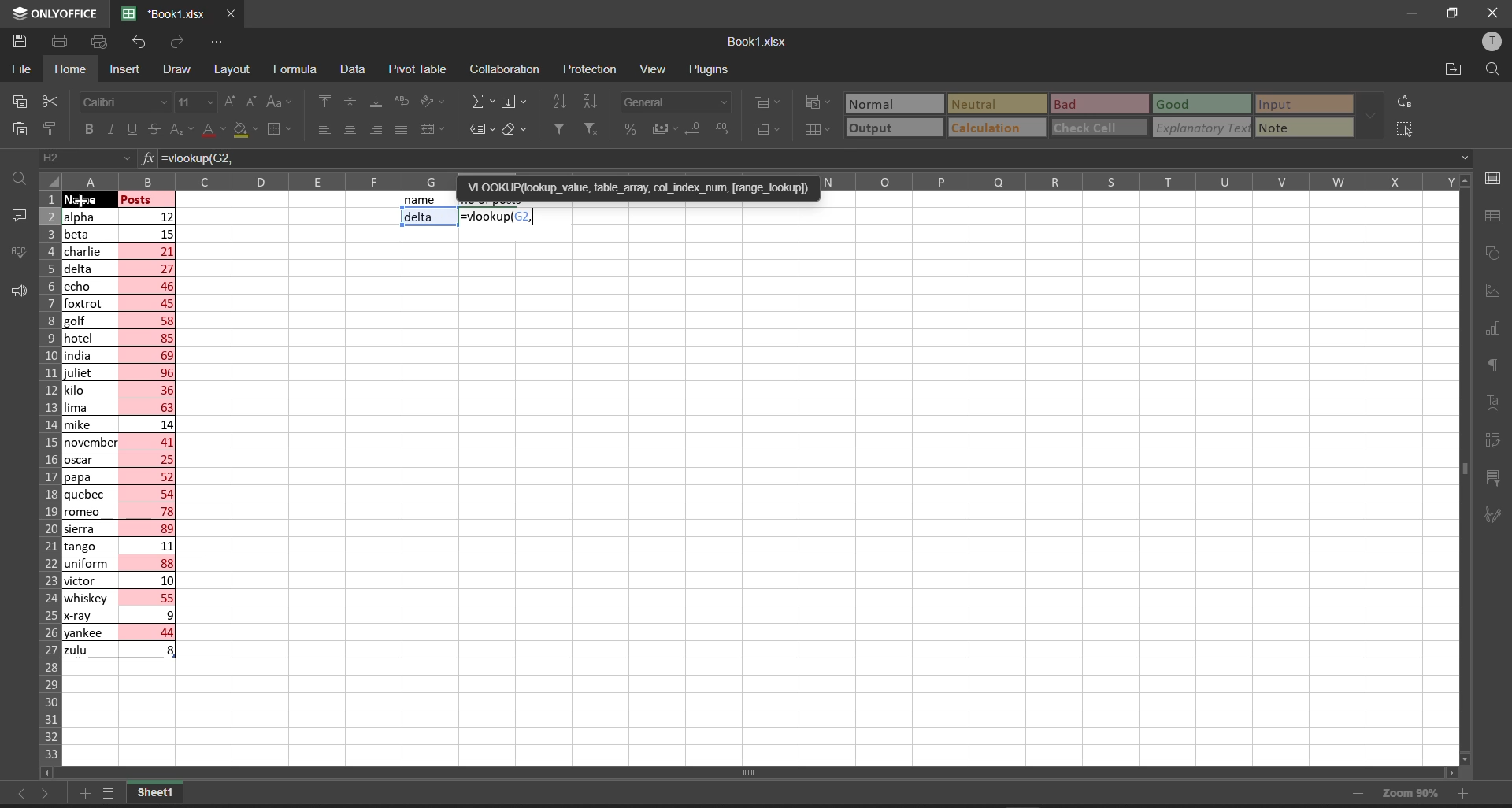 The height and width of the screenshot is (808, 1512). What do you see at coordinates (196, 102) in the screenshot?
I see `font size` at bounding box center [196, 102].